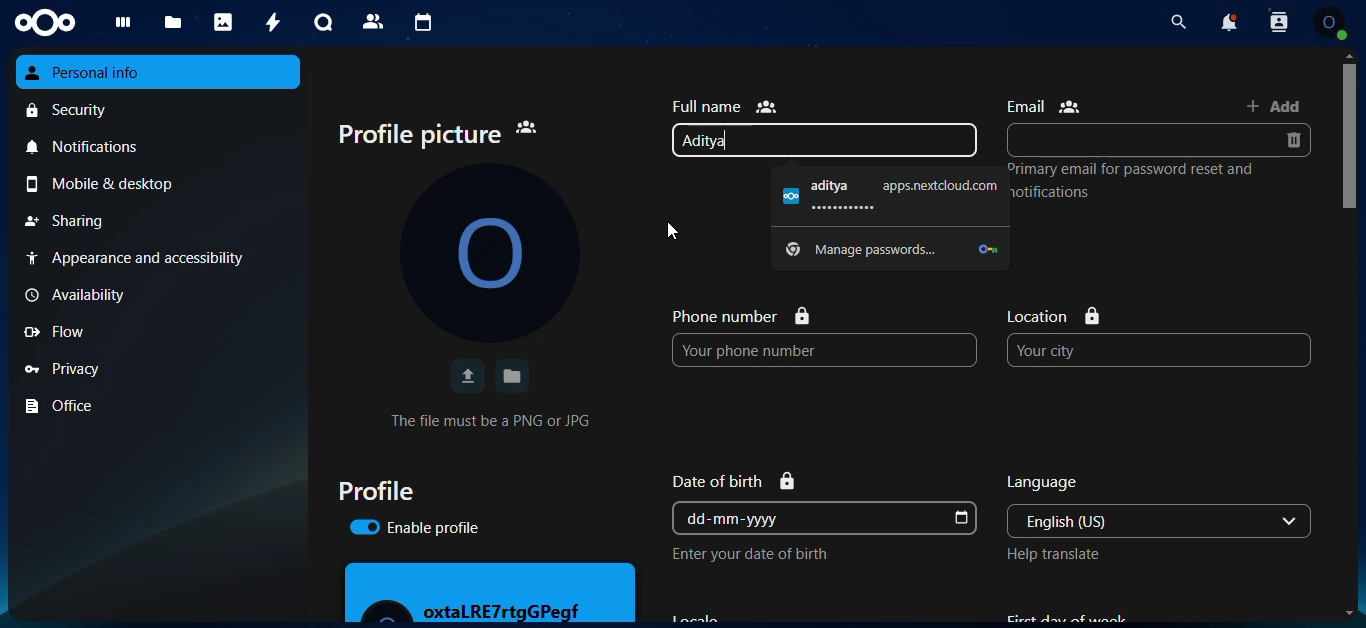 This screenshot has width=1366, height=628. Describe the element at coordinates (1349, 55) in the screenshot. I see `scroll up` at that location.